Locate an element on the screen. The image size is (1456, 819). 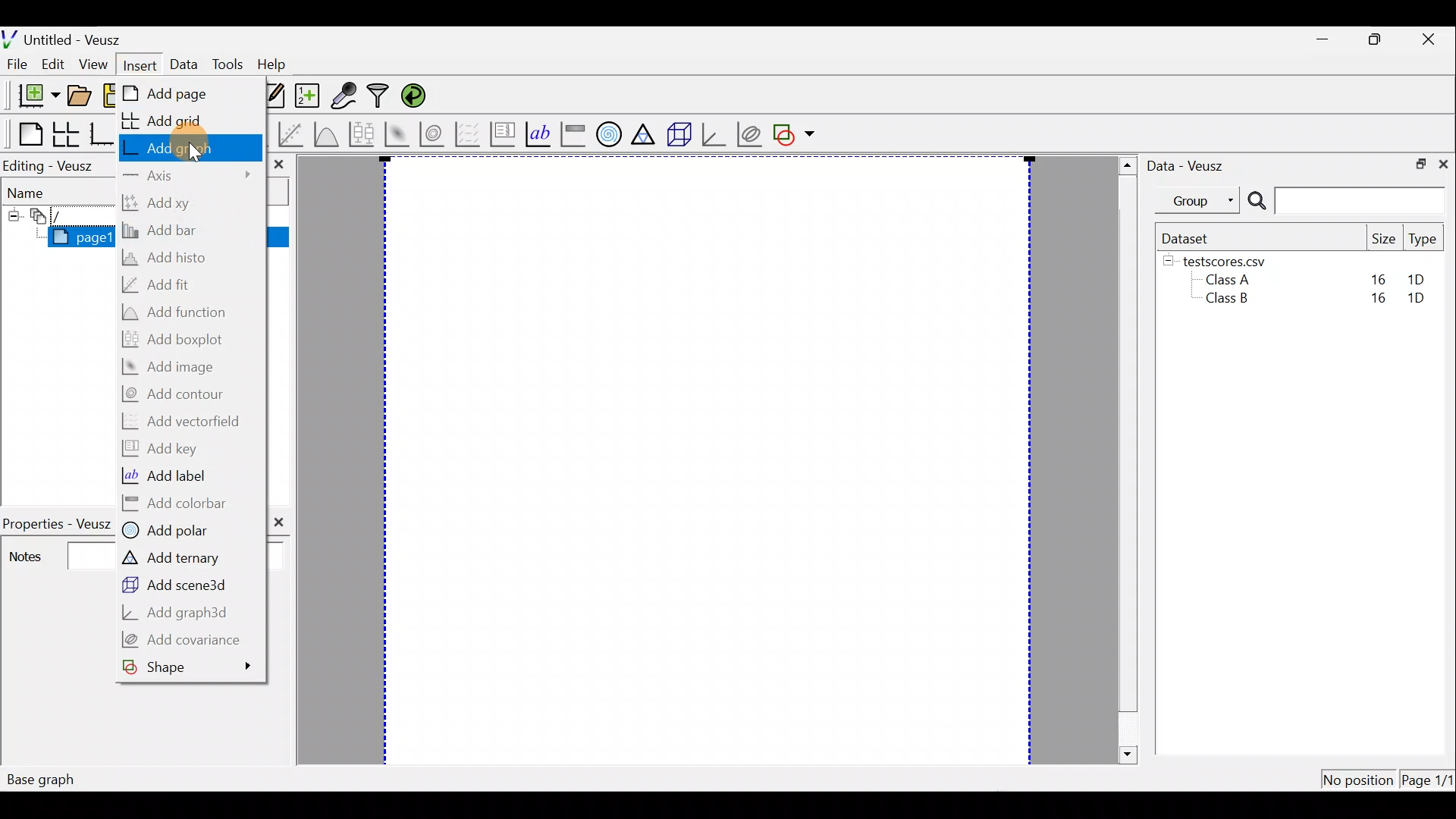
Add polar is located at coordinates (171, 531).